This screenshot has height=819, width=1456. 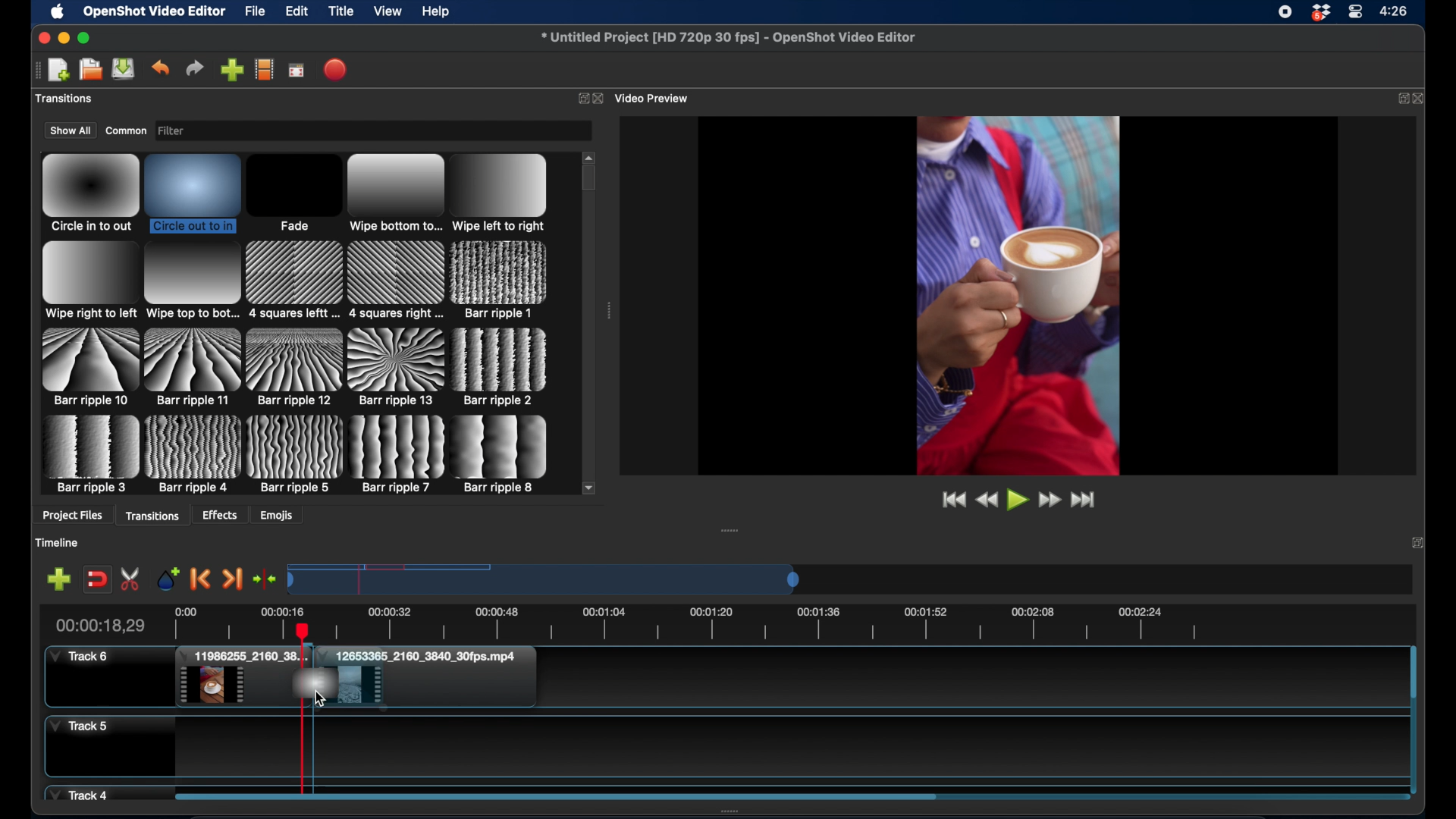 I want to click on expand, so click(x=1399, y=98).